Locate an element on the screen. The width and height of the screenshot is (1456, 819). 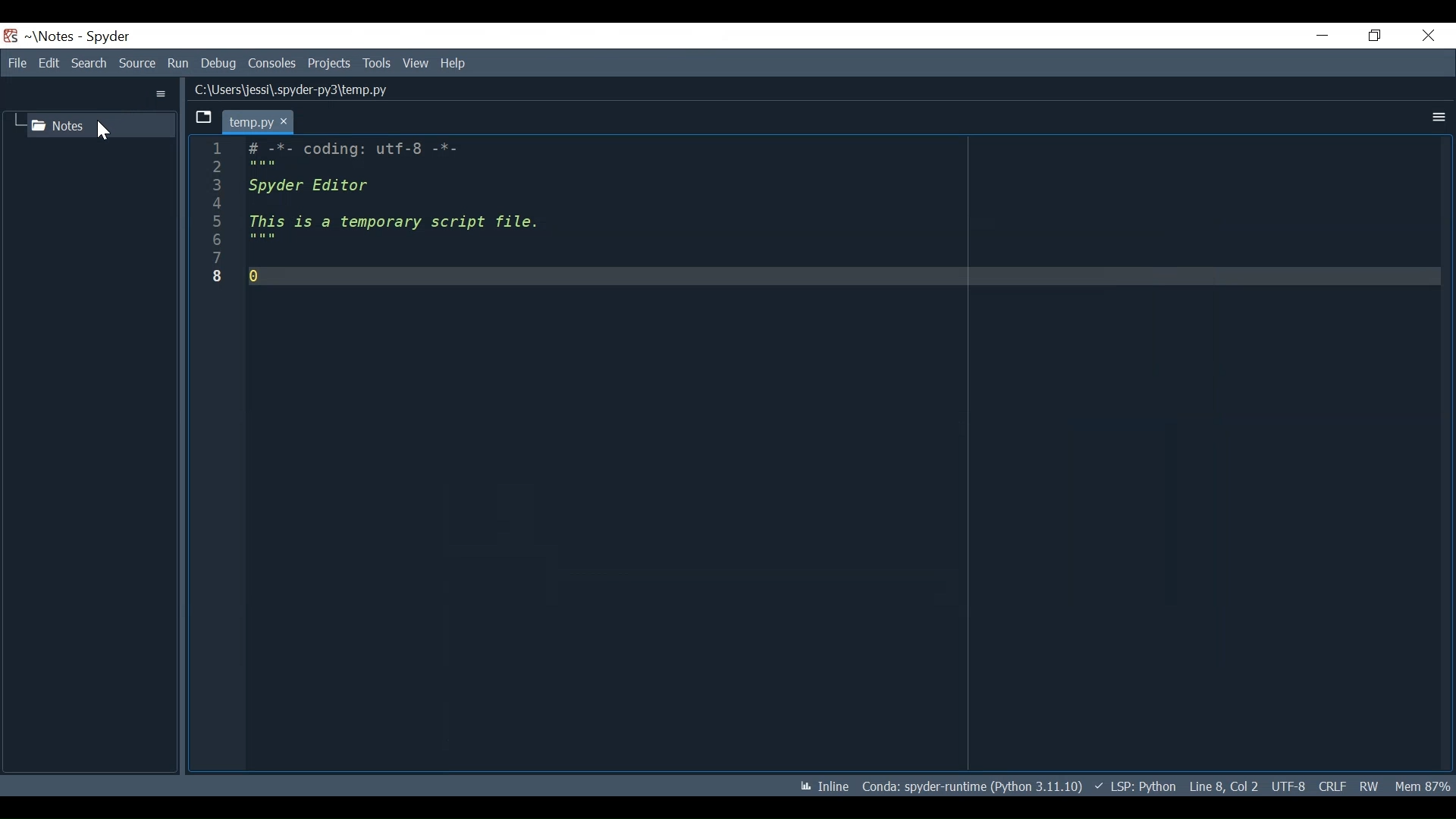
Consoles is located at coordinates (272, 64).